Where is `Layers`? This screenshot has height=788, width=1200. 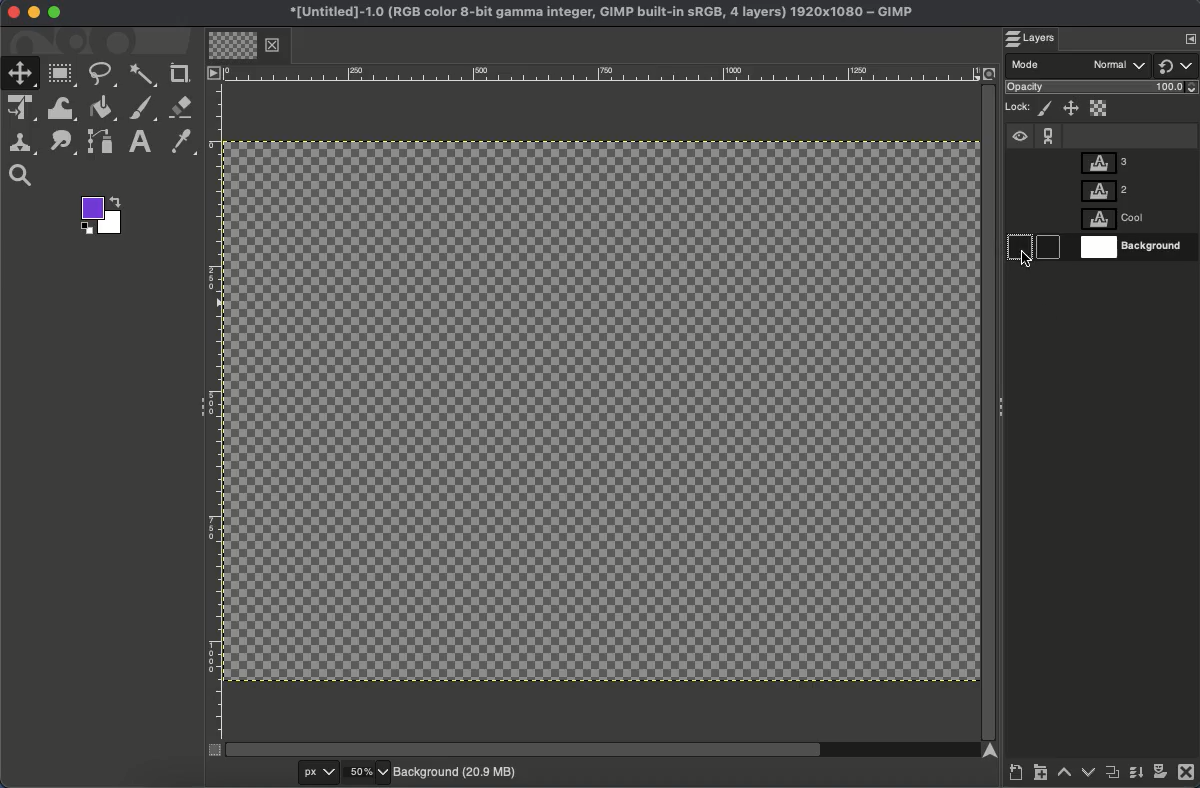
Layers is located at coordinates (1133, 205).